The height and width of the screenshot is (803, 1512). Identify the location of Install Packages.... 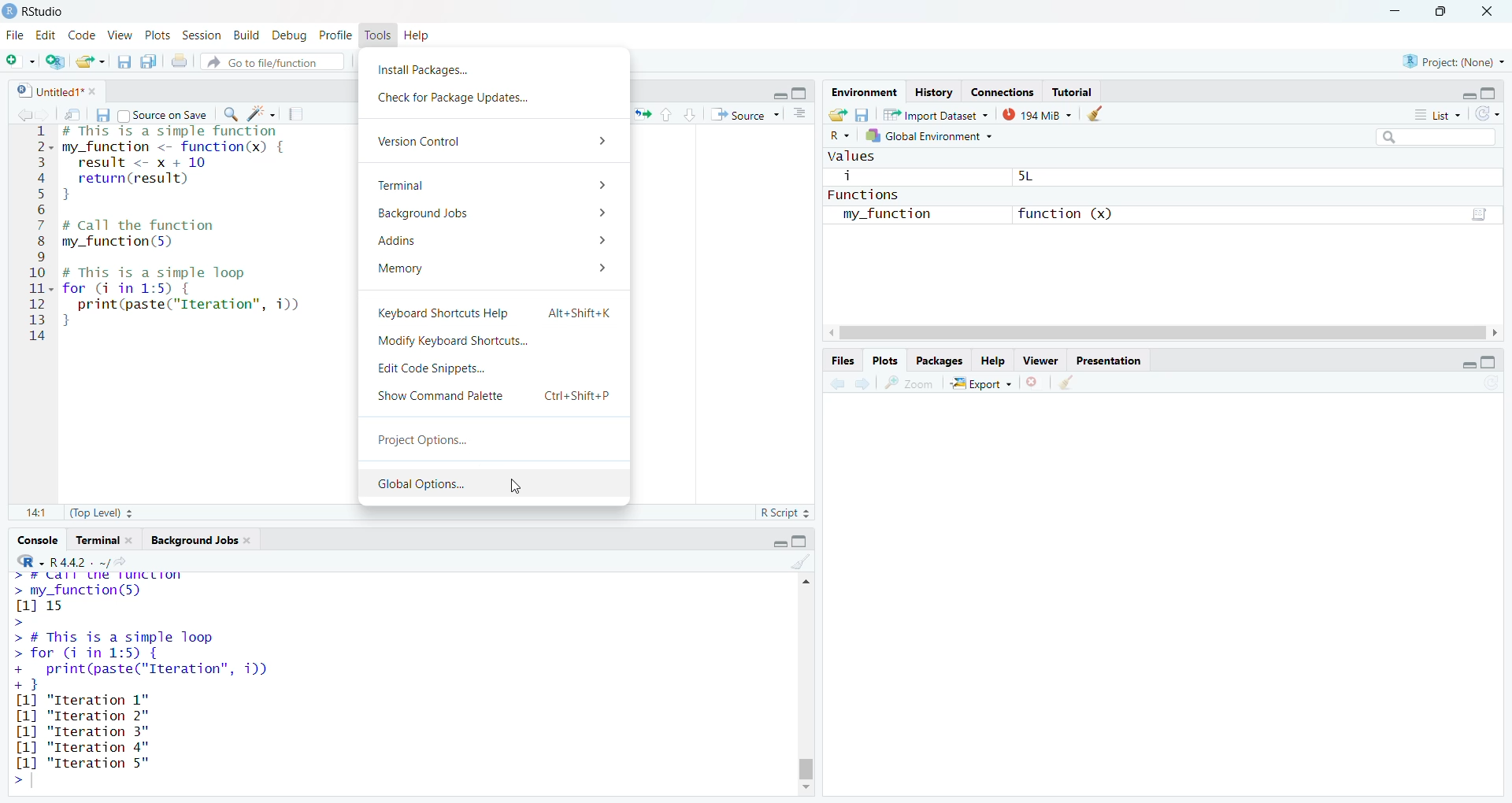
(450, 68).